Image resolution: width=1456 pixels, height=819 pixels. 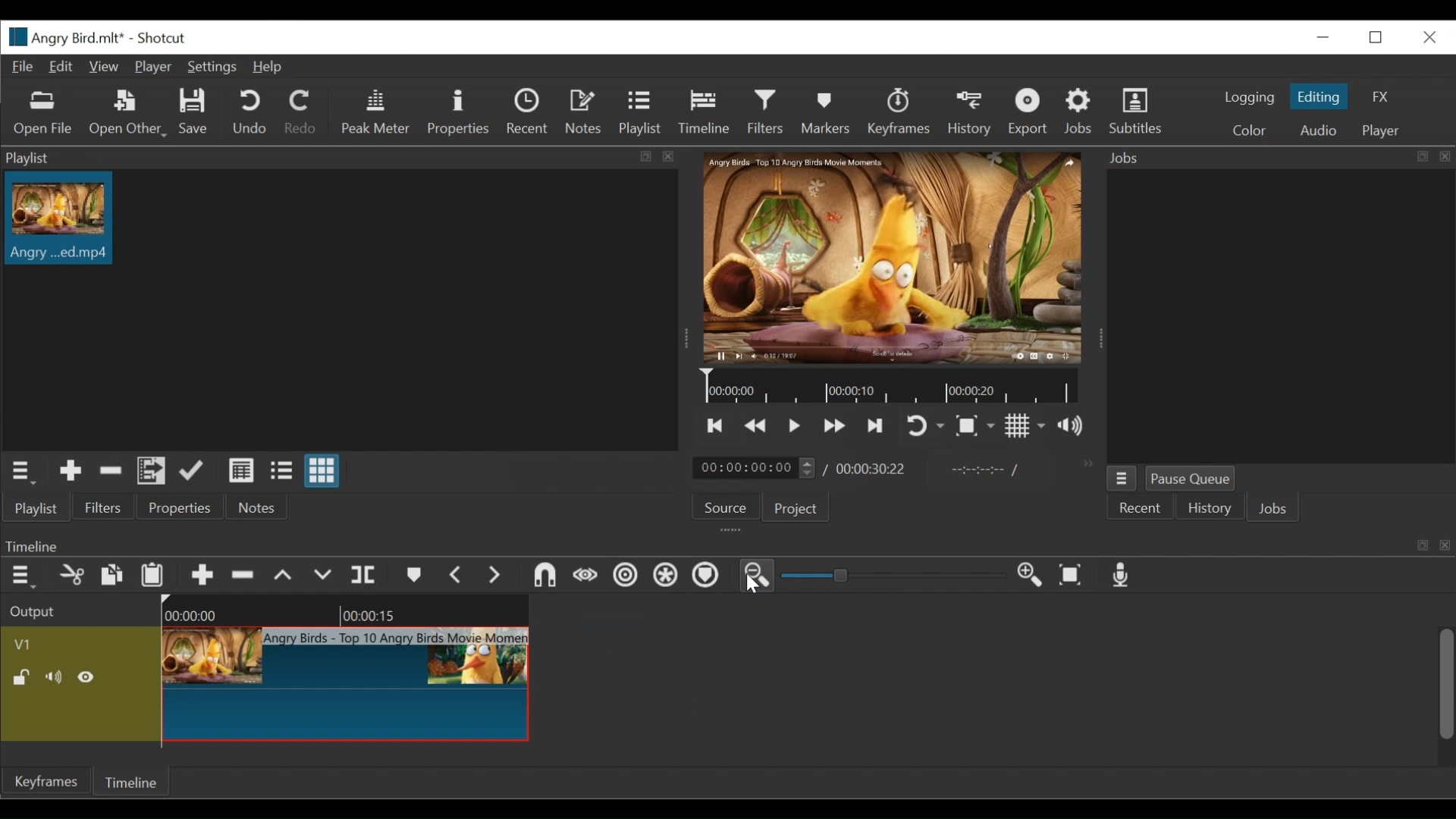 I want to click on Timeline, so click(x=890, y=384).